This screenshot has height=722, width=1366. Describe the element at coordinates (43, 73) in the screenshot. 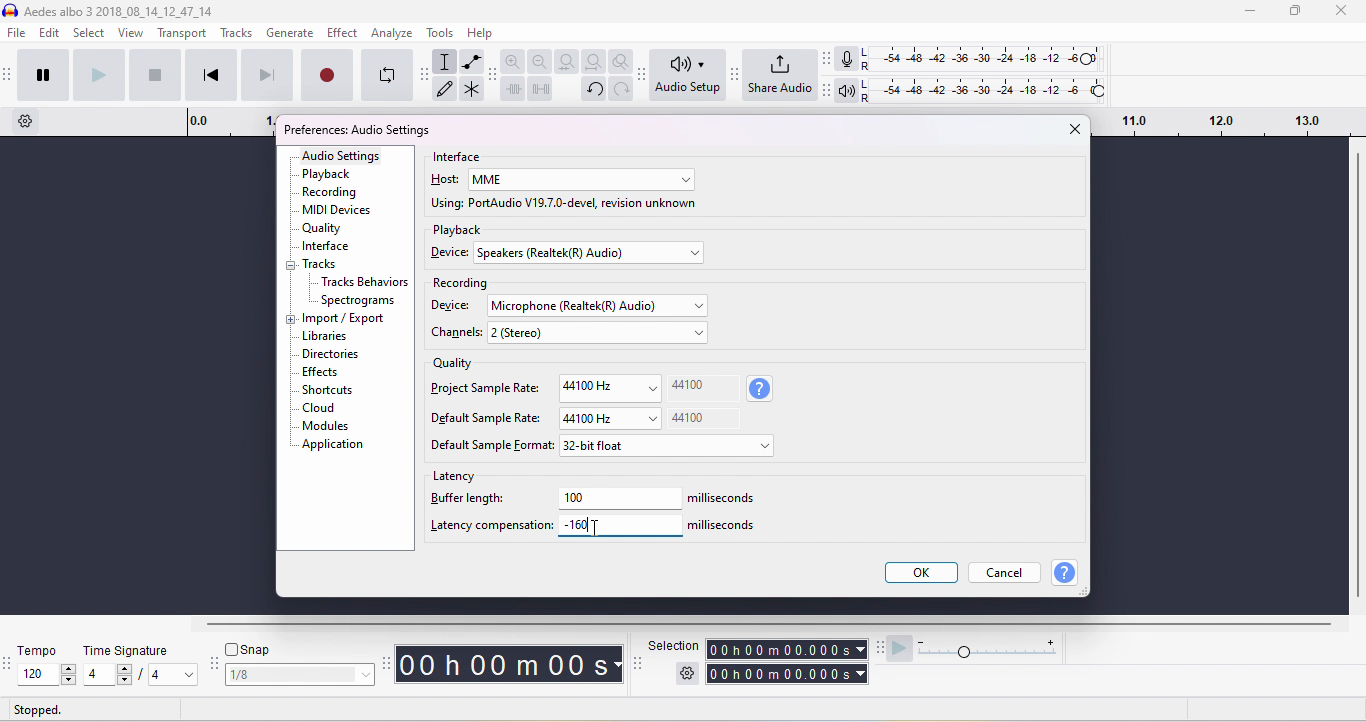

I see `pause` at that location.